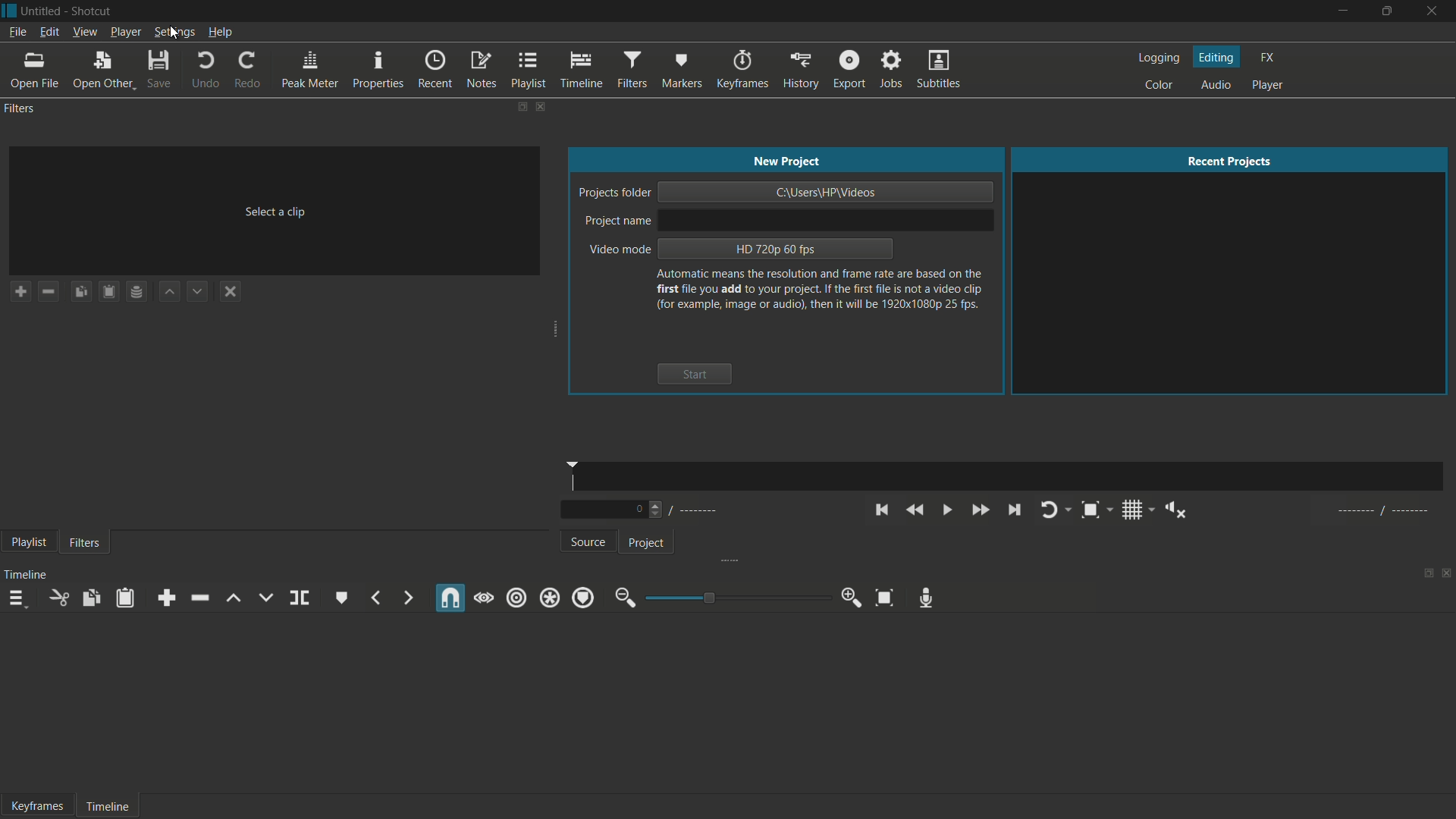  I want to click on player menu, so click(124, 33).